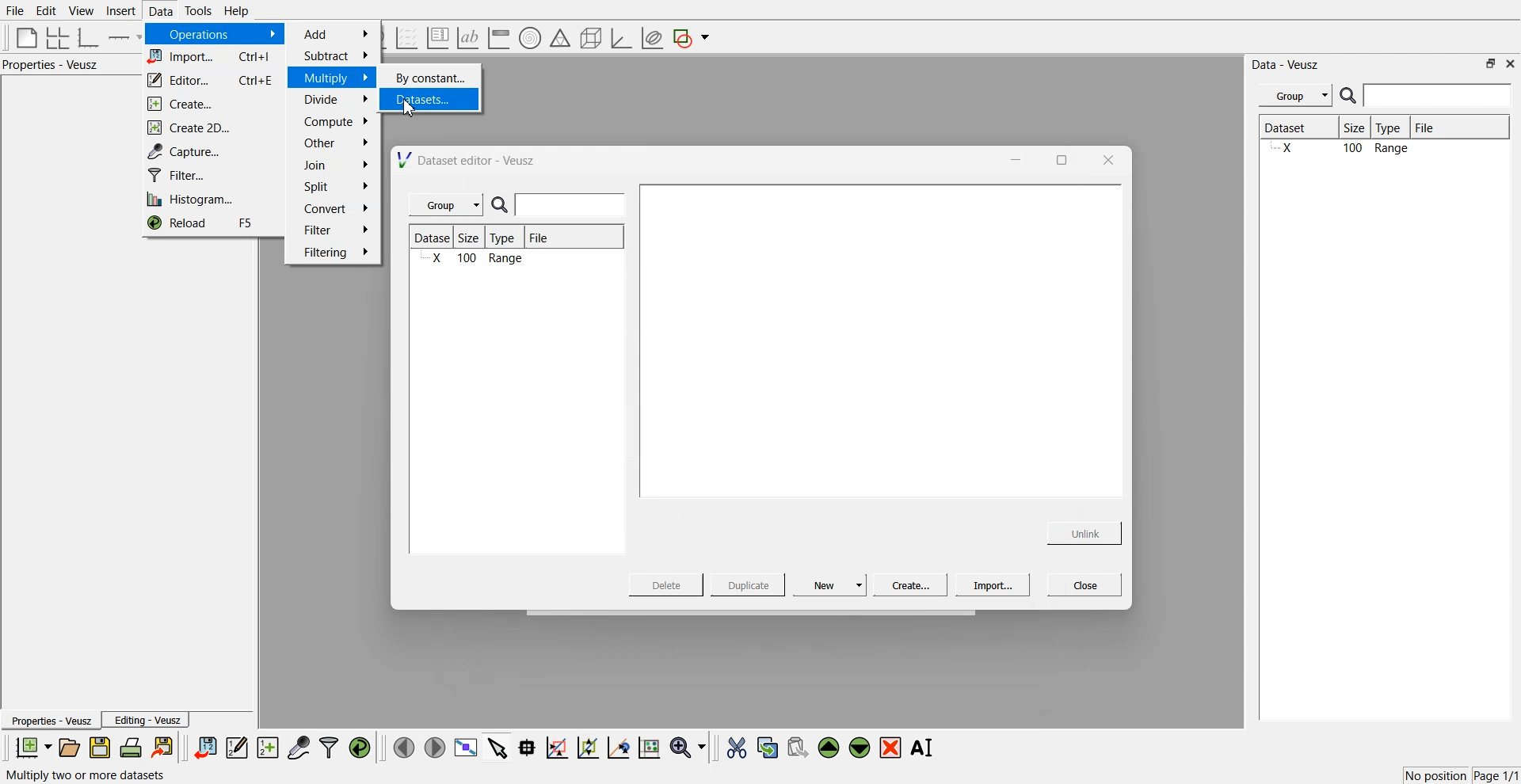 The width and height of the screenshot is (1521, 784). What do you see at coordinates (404, 747) in the screenshot?
I see `move left` at bounding box center [404, 747].